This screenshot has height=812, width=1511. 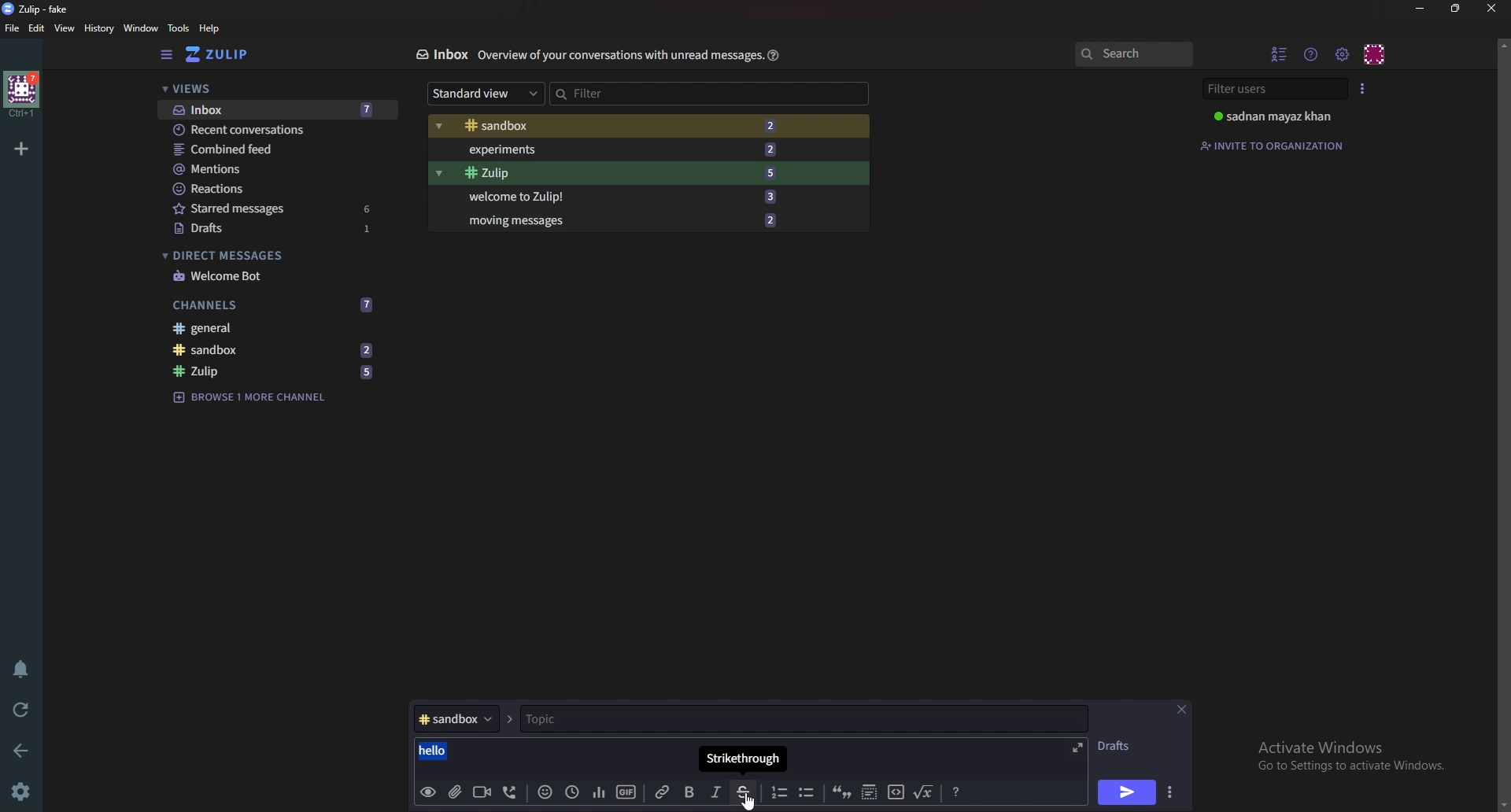 I want to click on voice call, so click(x=512, y=790).